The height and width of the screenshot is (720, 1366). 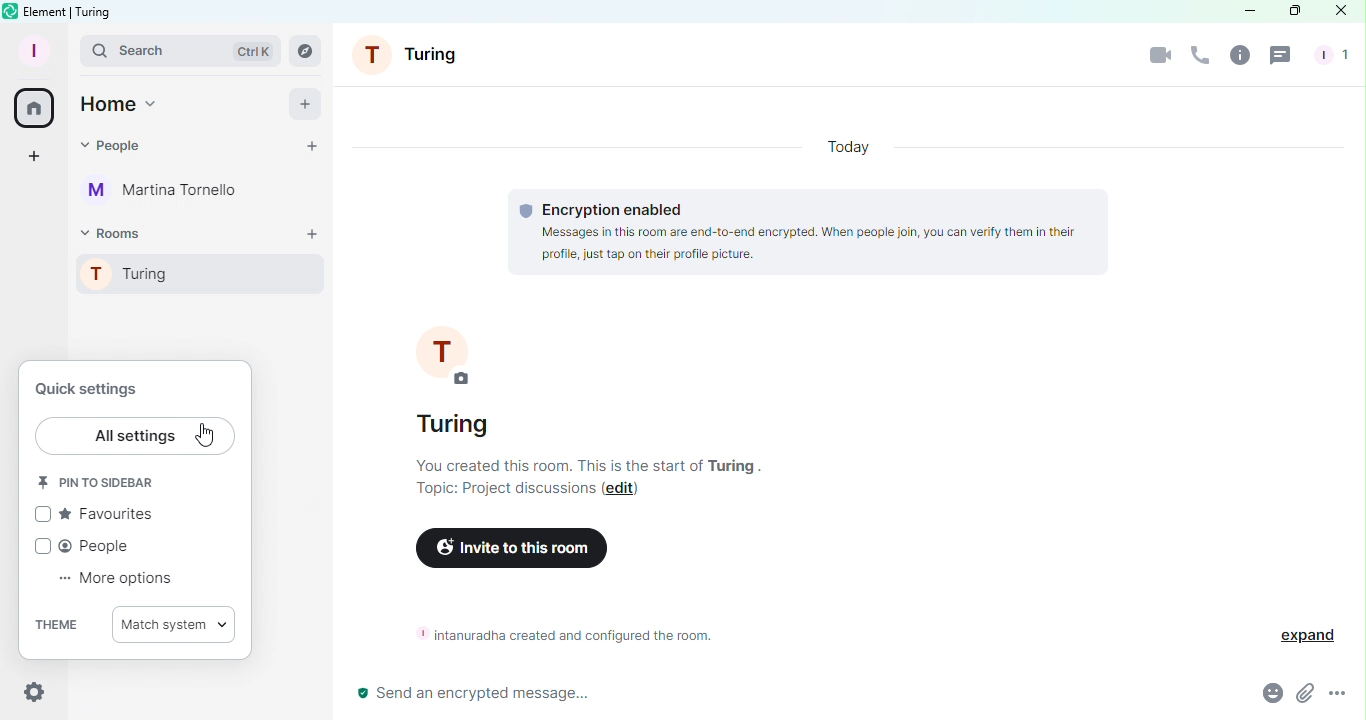 What do you see at coordinates (44, 514) in the screenshot?
I see `check box` at bounding box center [44, 514].